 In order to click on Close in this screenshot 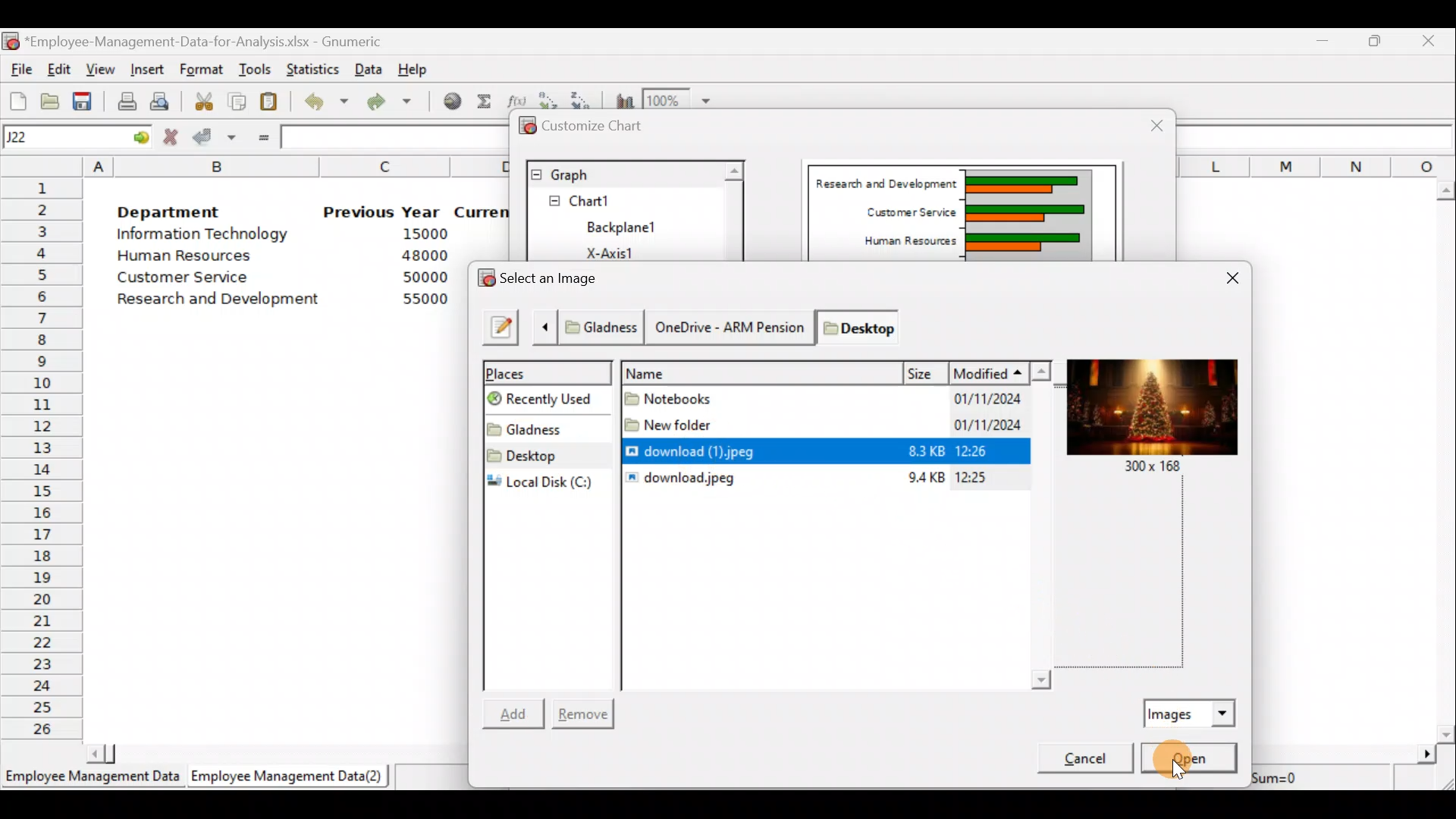, I will do `click(1432, 40)`.